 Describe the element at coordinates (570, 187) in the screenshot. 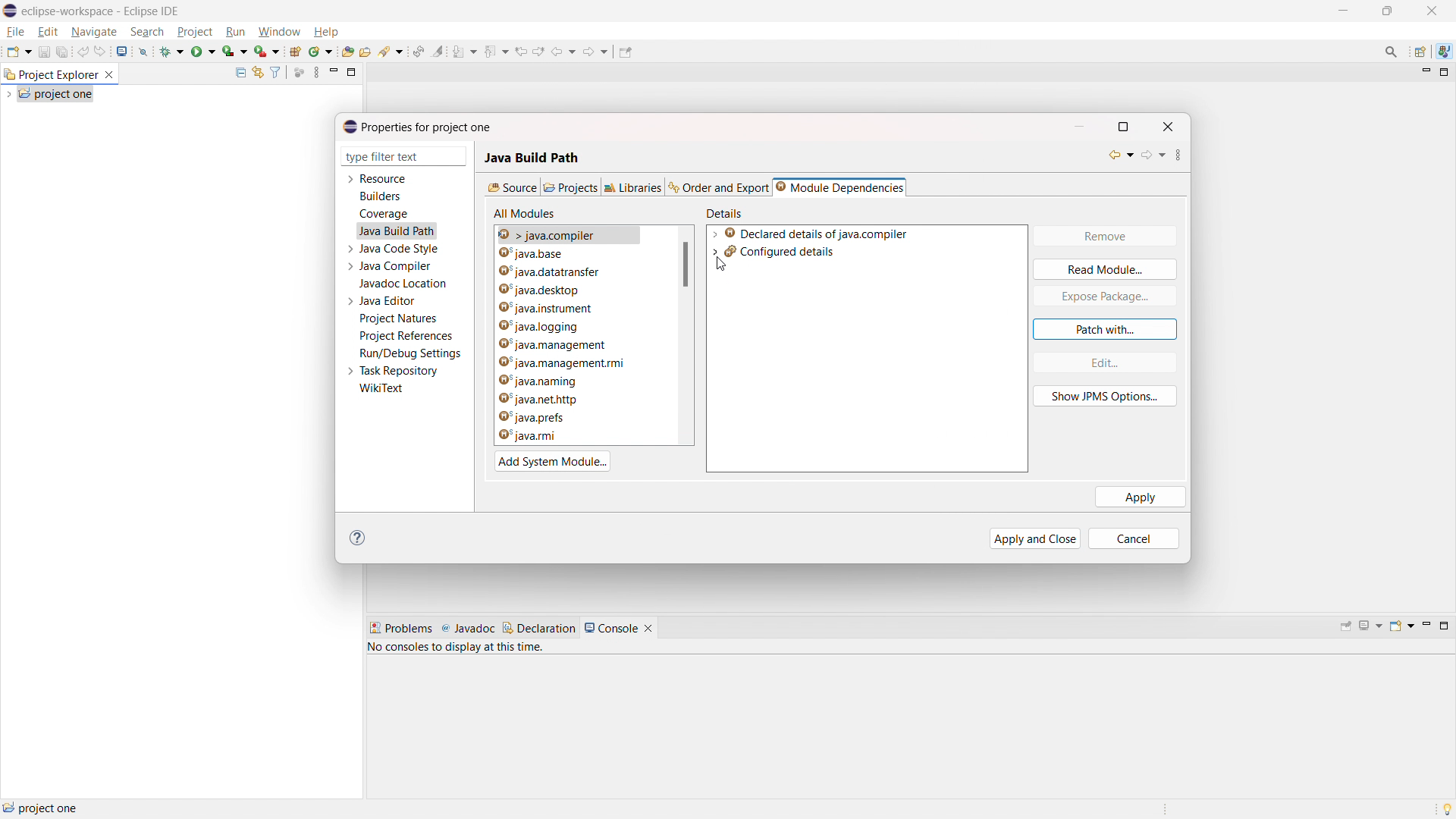

I see `projects` at that location.